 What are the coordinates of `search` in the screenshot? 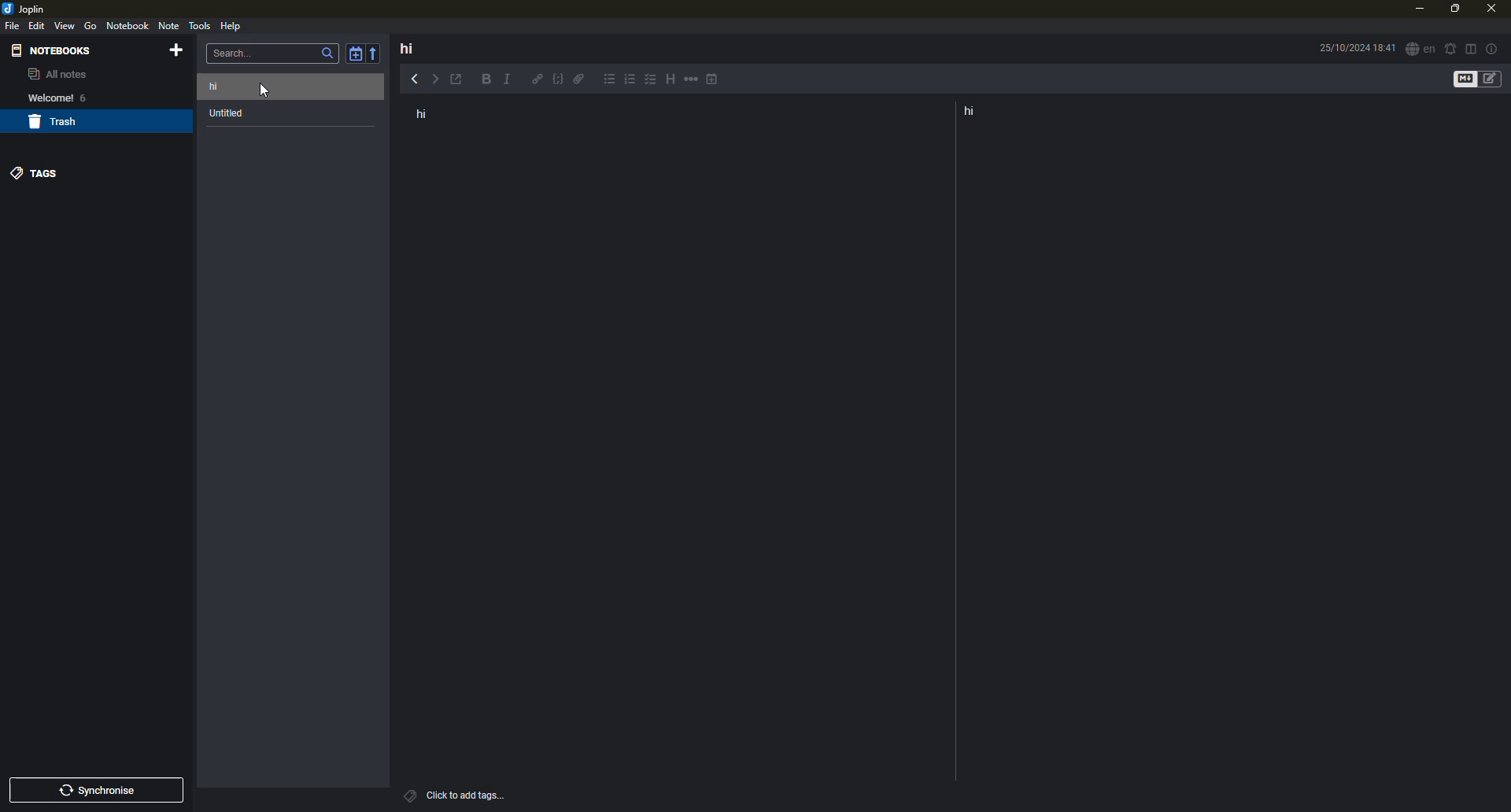 It's located at (327, 54).